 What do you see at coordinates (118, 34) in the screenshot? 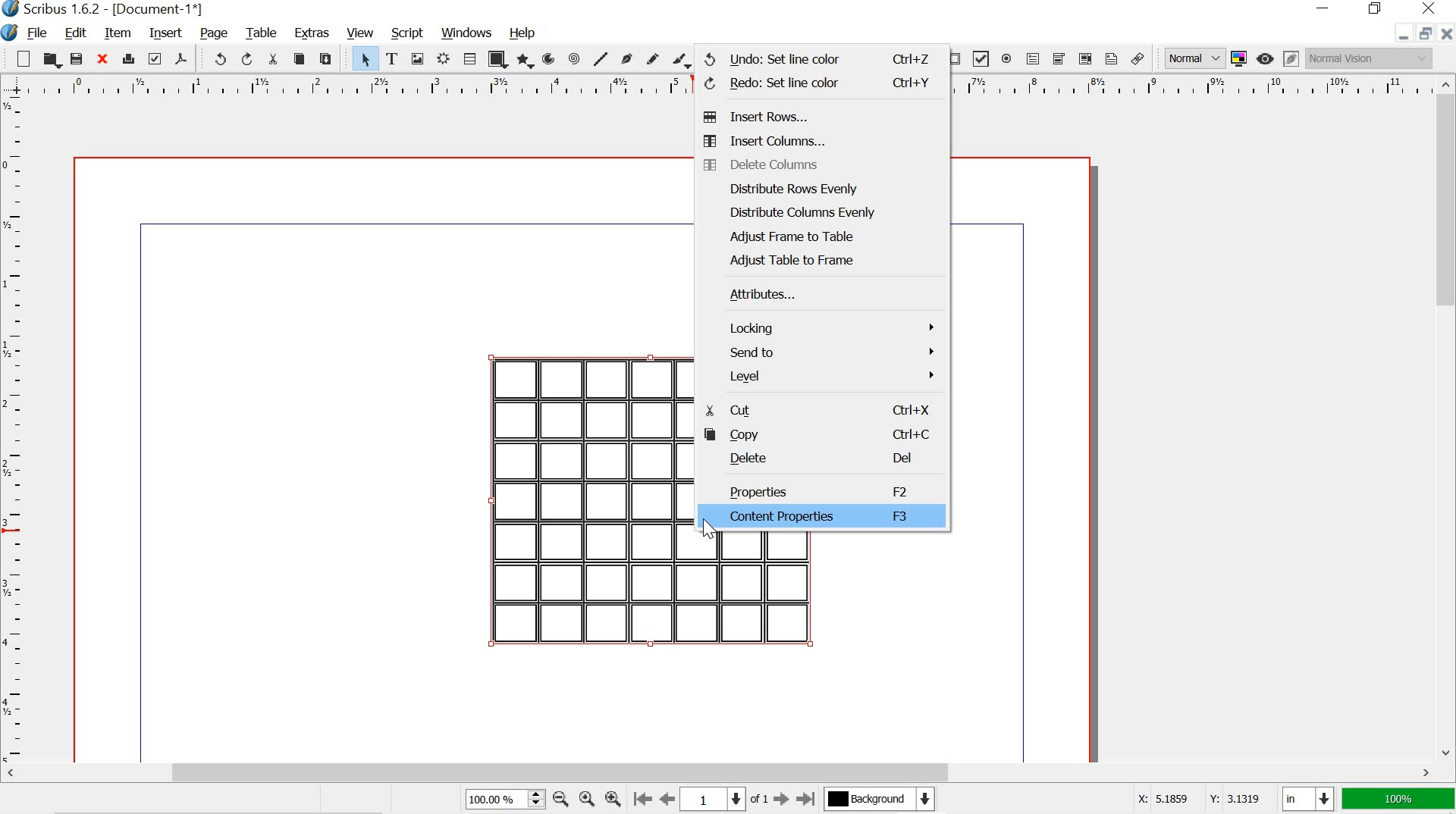
I see `item` at bounding box center [118, 34].